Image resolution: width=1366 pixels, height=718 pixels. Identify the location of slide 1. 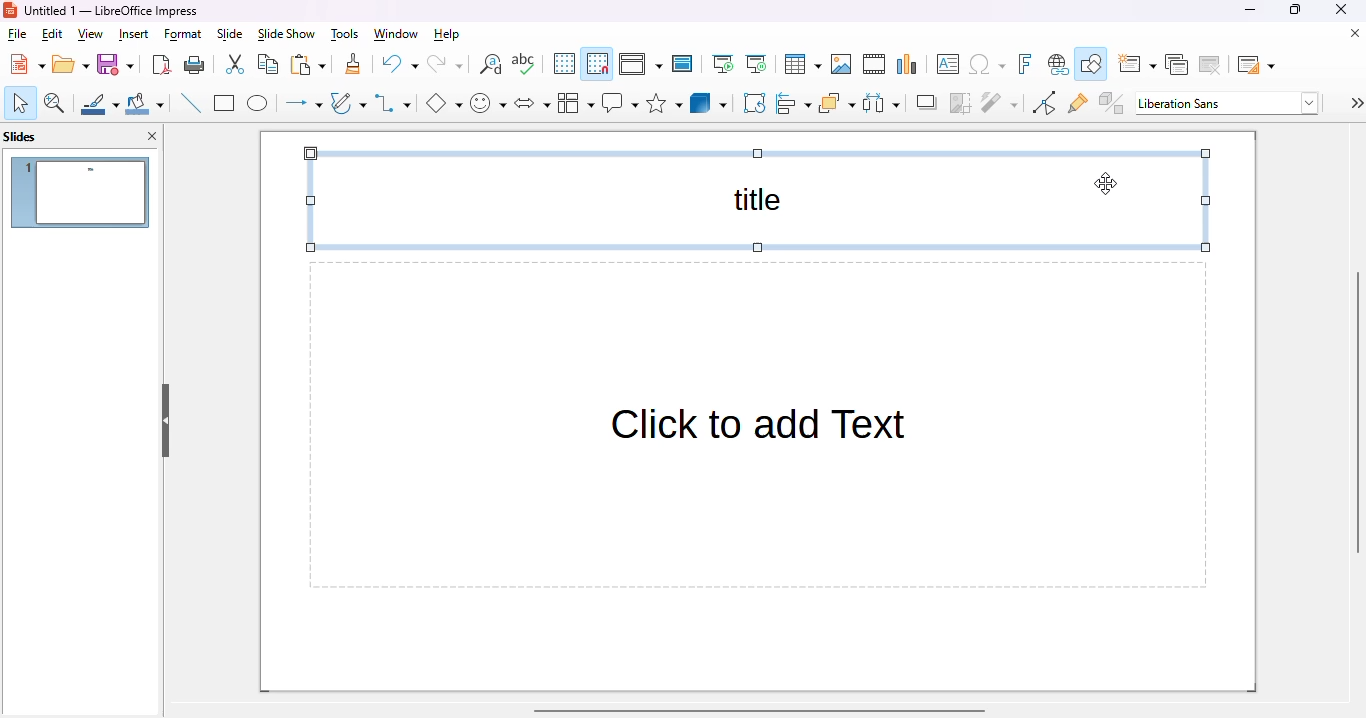
(82, 193).